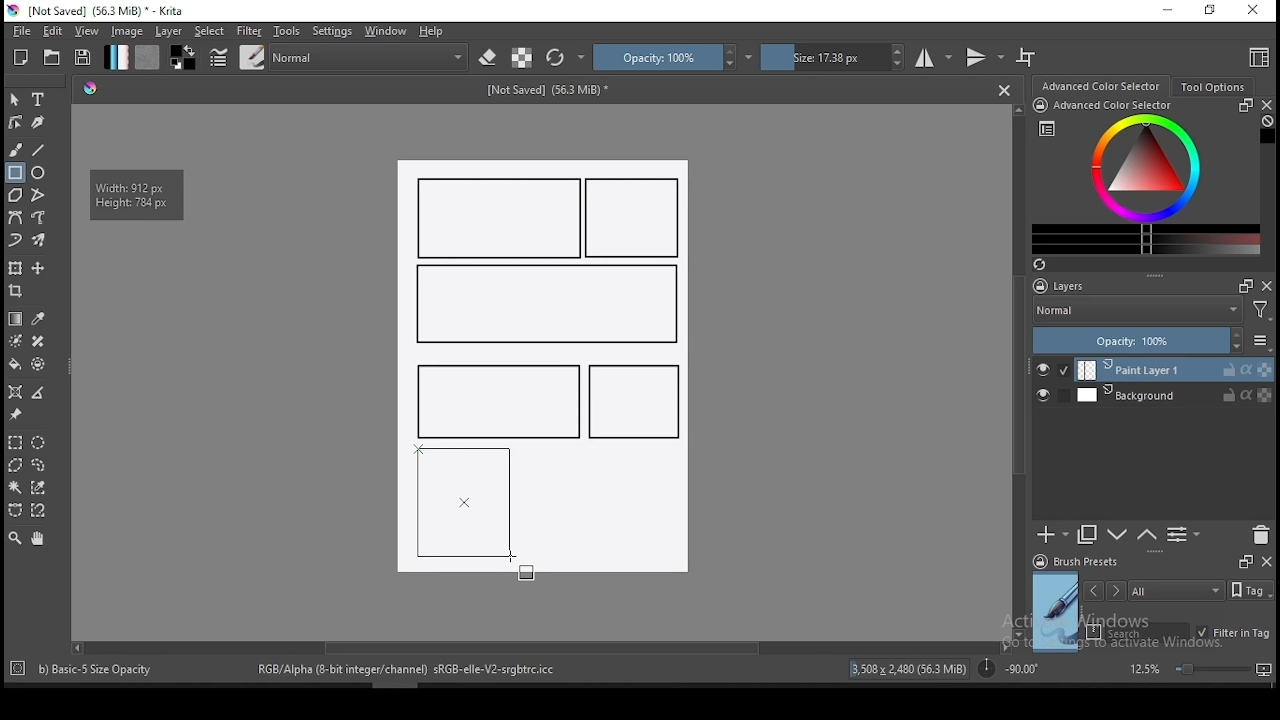 The width and height of the screenshot is (1280, 720). I want to click on view, so click(86, 31).